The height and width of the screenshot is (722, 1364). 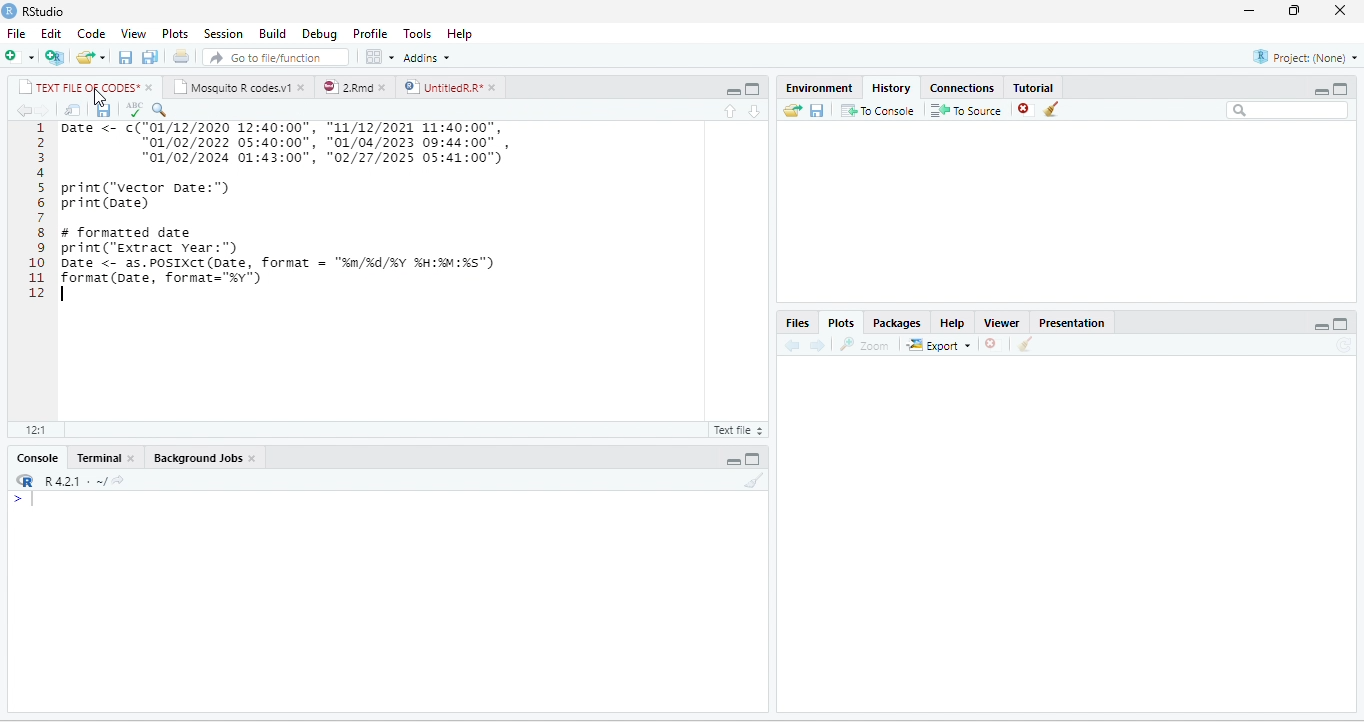 What do you see at coordinates (1052, 109) in the screenshot?
I see `clear` at bounding box center [1052, 109].